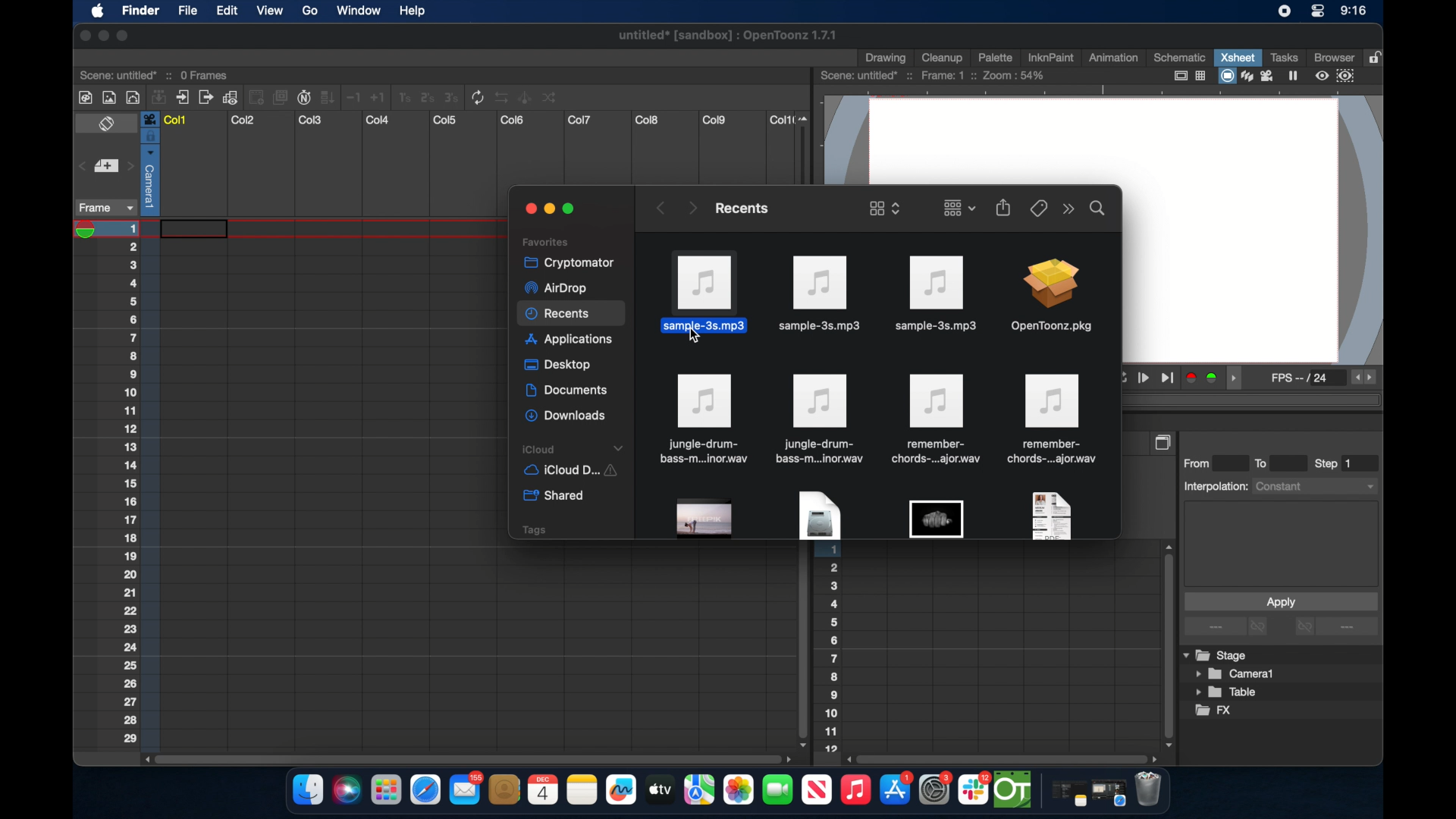 This screenshot has width=1456, height=819. I want to click on freeform, so click(622, 790).